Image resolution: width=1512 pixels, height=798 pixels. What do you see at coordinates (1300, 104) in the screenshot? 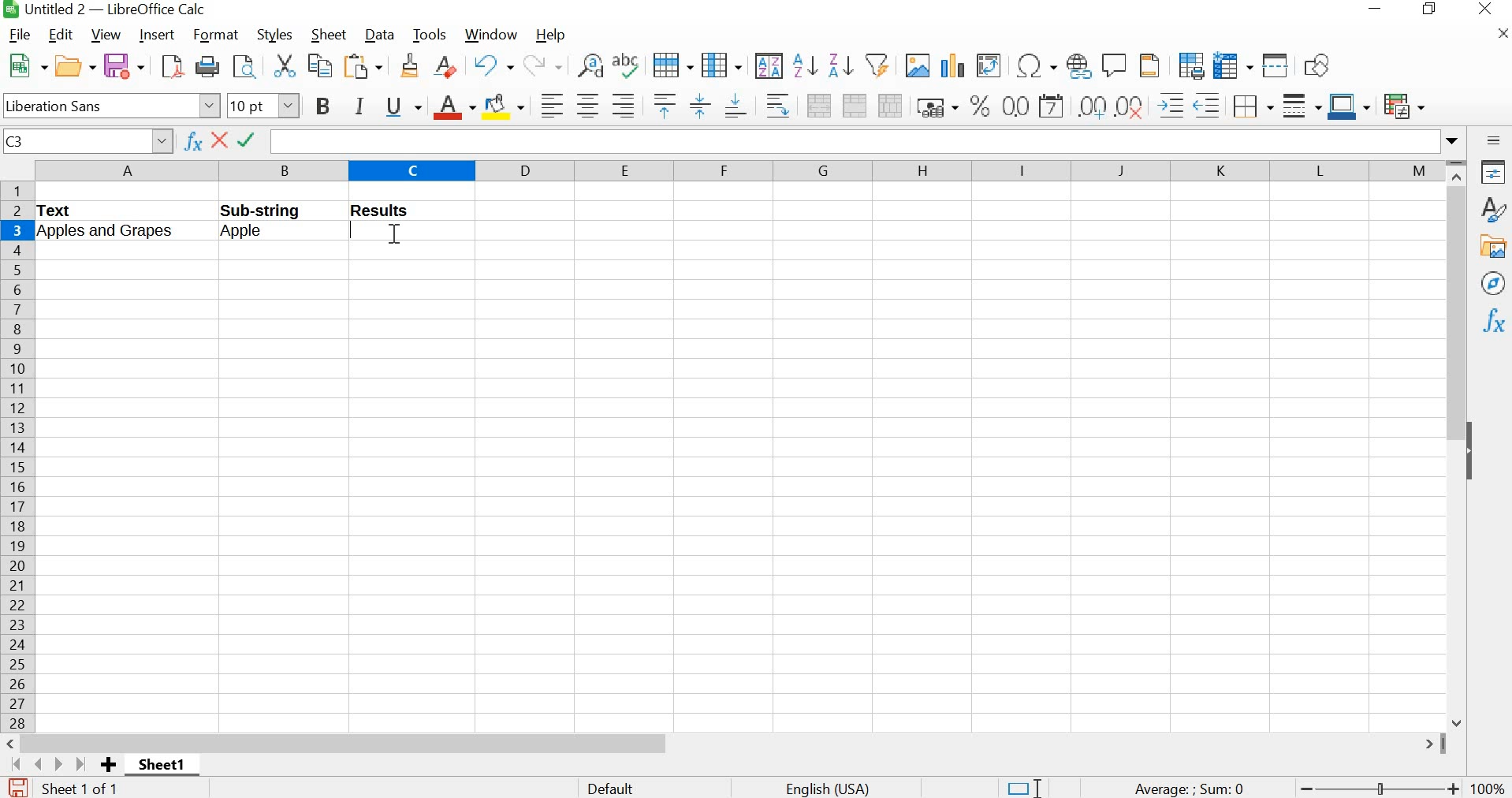
I see `border style` at bounding box center [1300, 104].